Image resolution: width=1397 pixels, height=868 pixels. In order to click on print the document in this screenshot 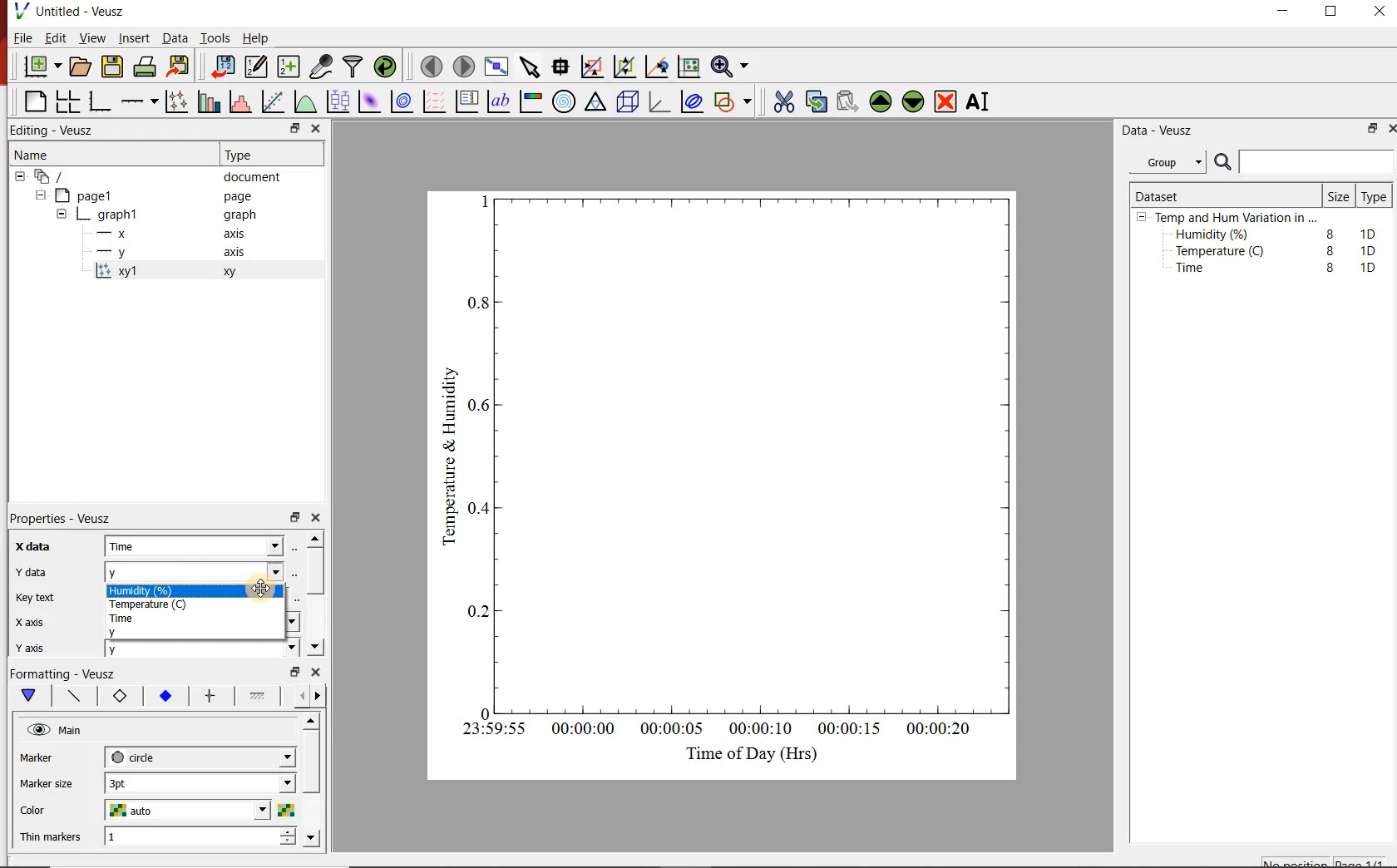, I will do `click(146, 69)`.